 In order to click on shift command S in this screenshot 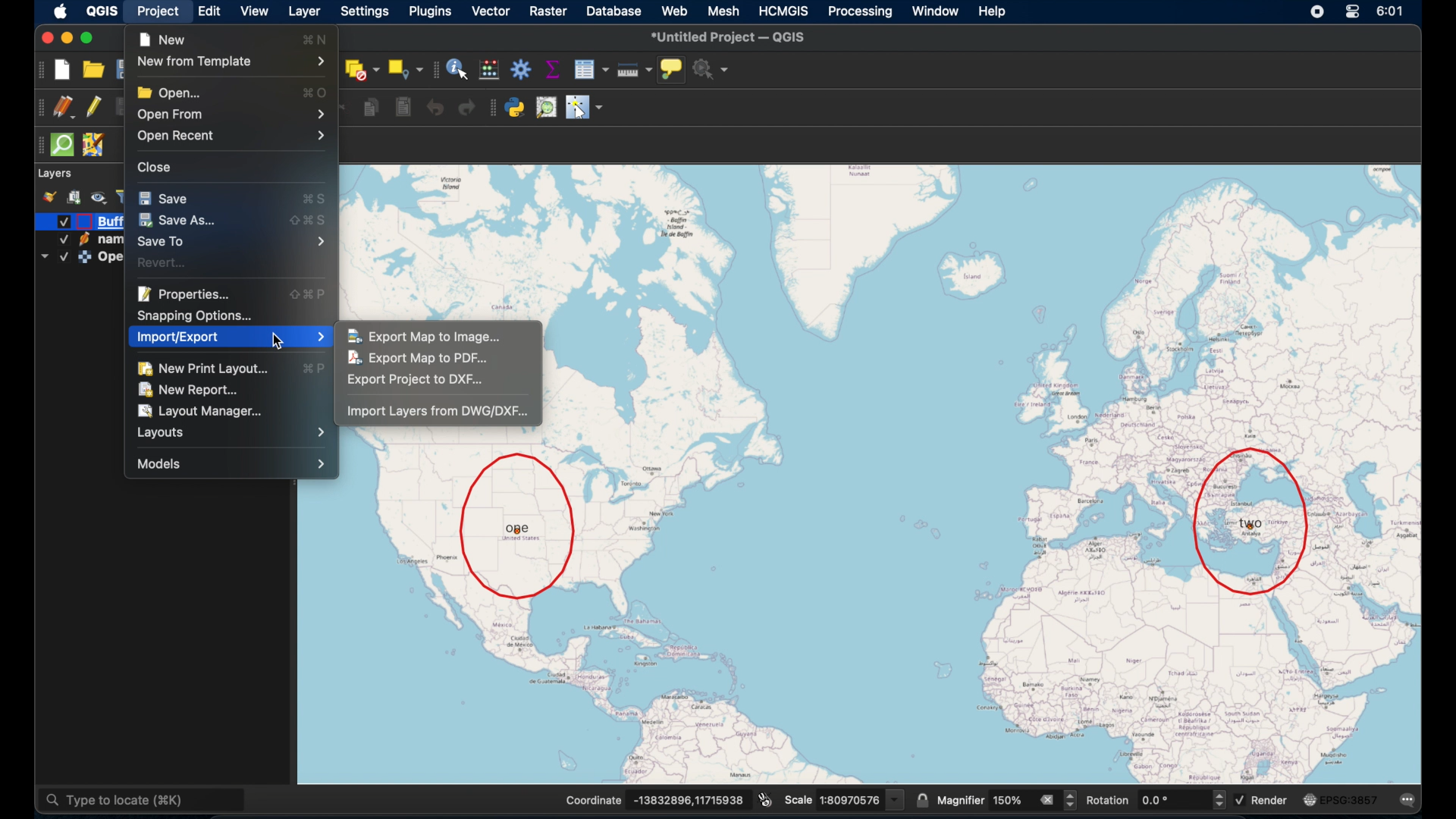, I will do `click(308, 220)`.